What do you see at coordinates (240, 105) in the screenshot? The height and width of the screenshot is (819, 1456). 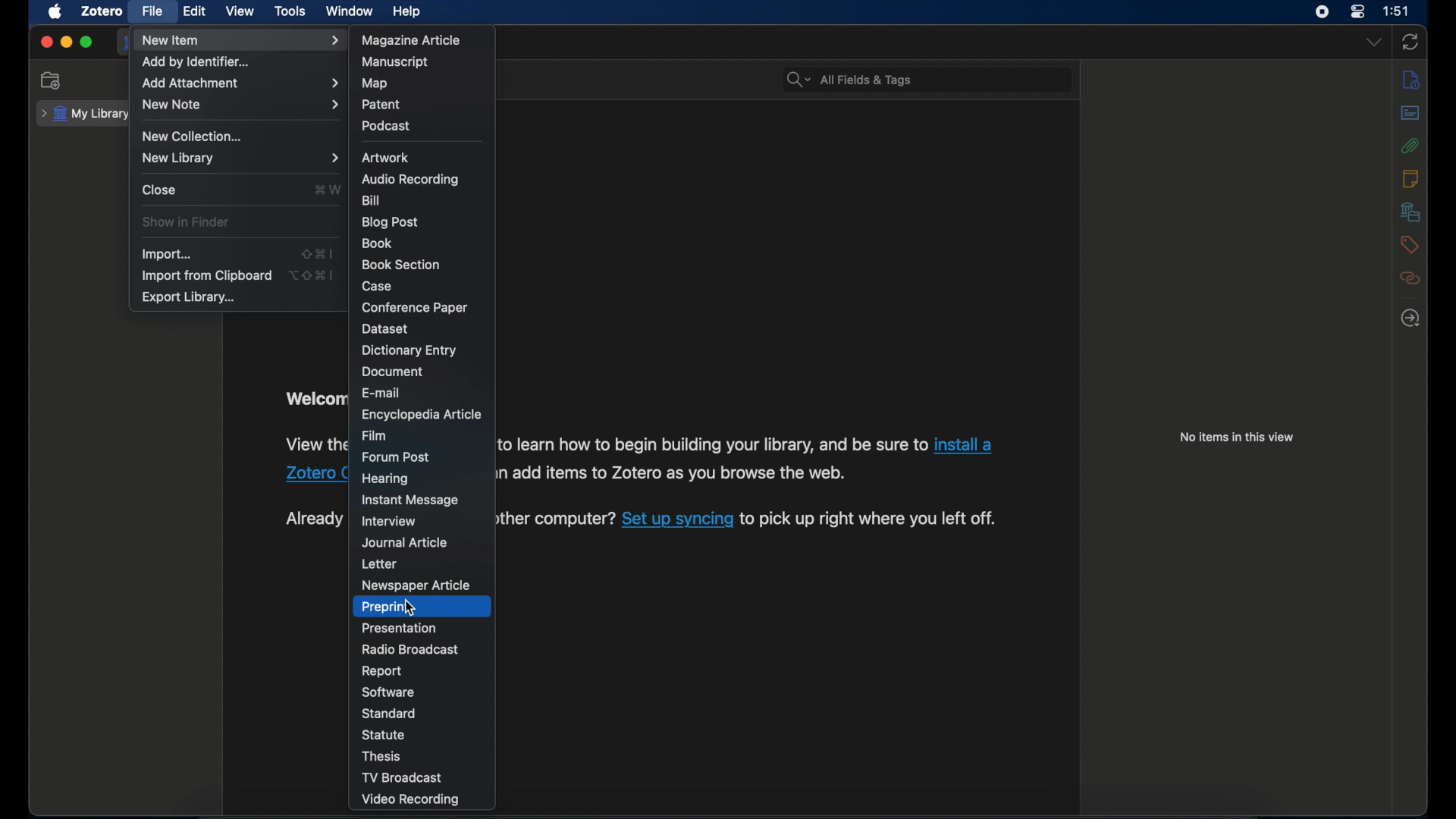 I see `new note` at bounding box center [240, 105].